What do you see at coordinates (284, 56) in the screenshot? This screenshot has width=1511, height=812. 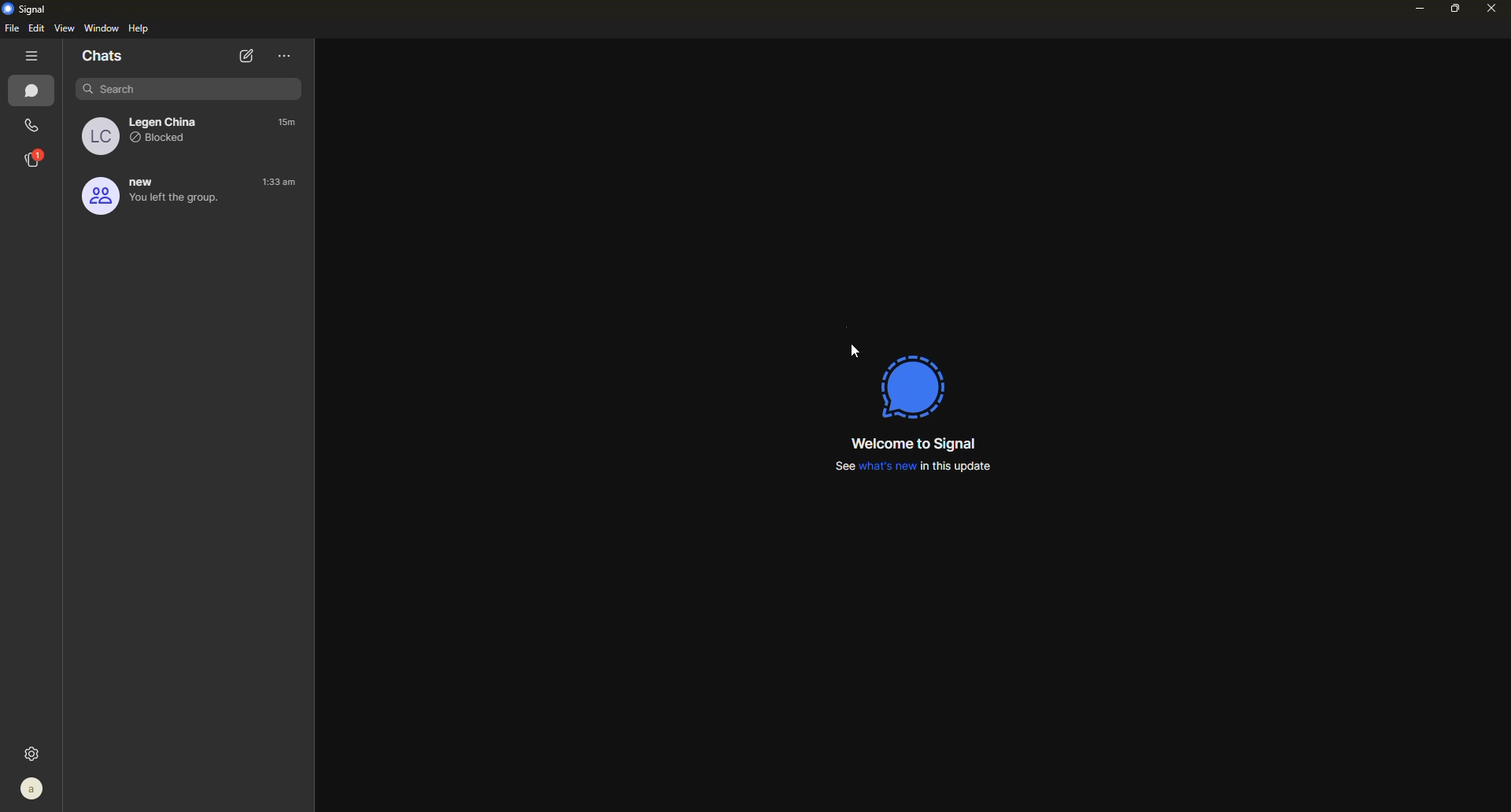 I see `more` at bounding box center [284, 56].